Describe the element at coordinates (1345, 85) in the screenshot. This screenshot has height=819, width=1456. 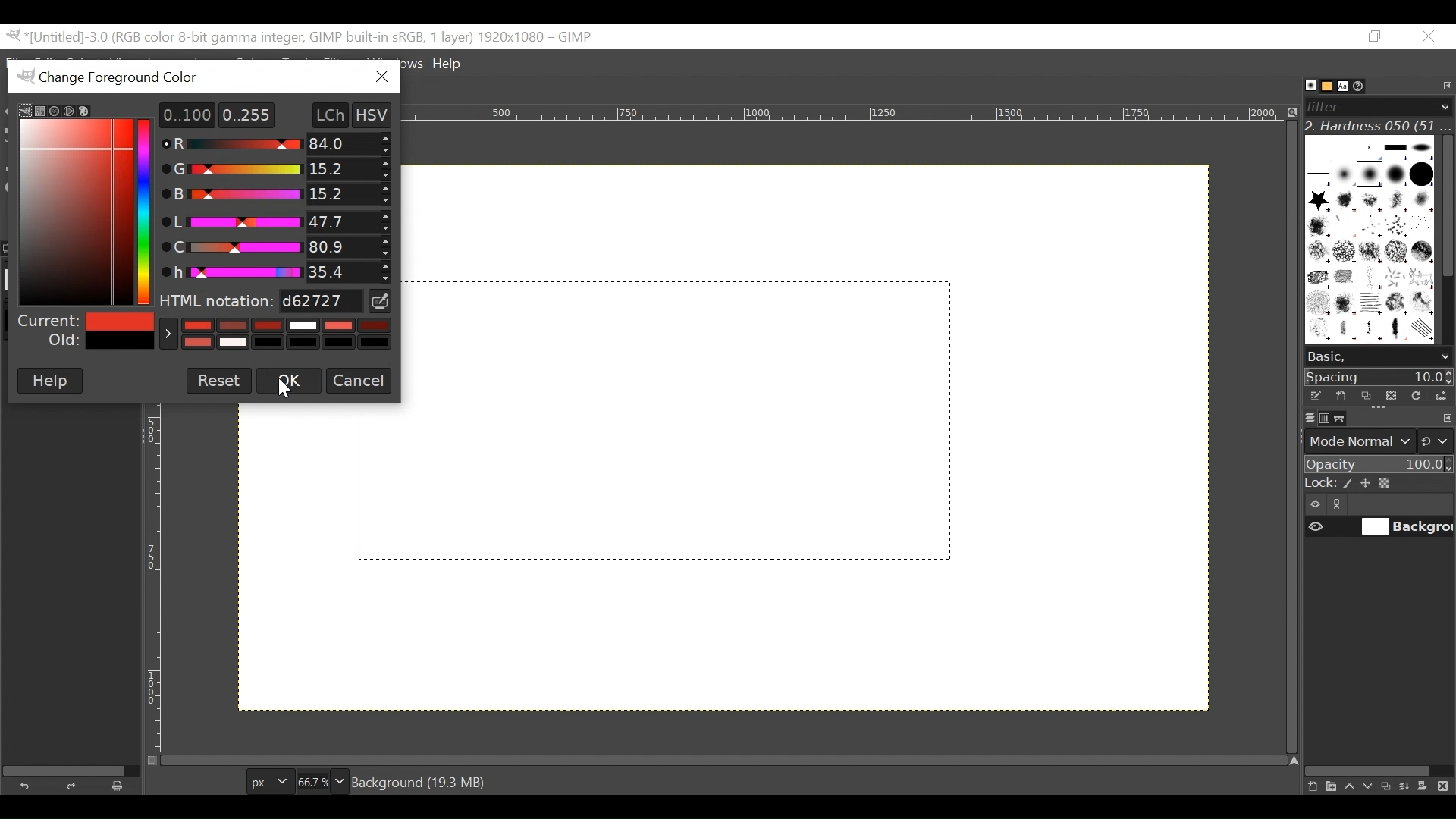
I see `Fonts` at that location.